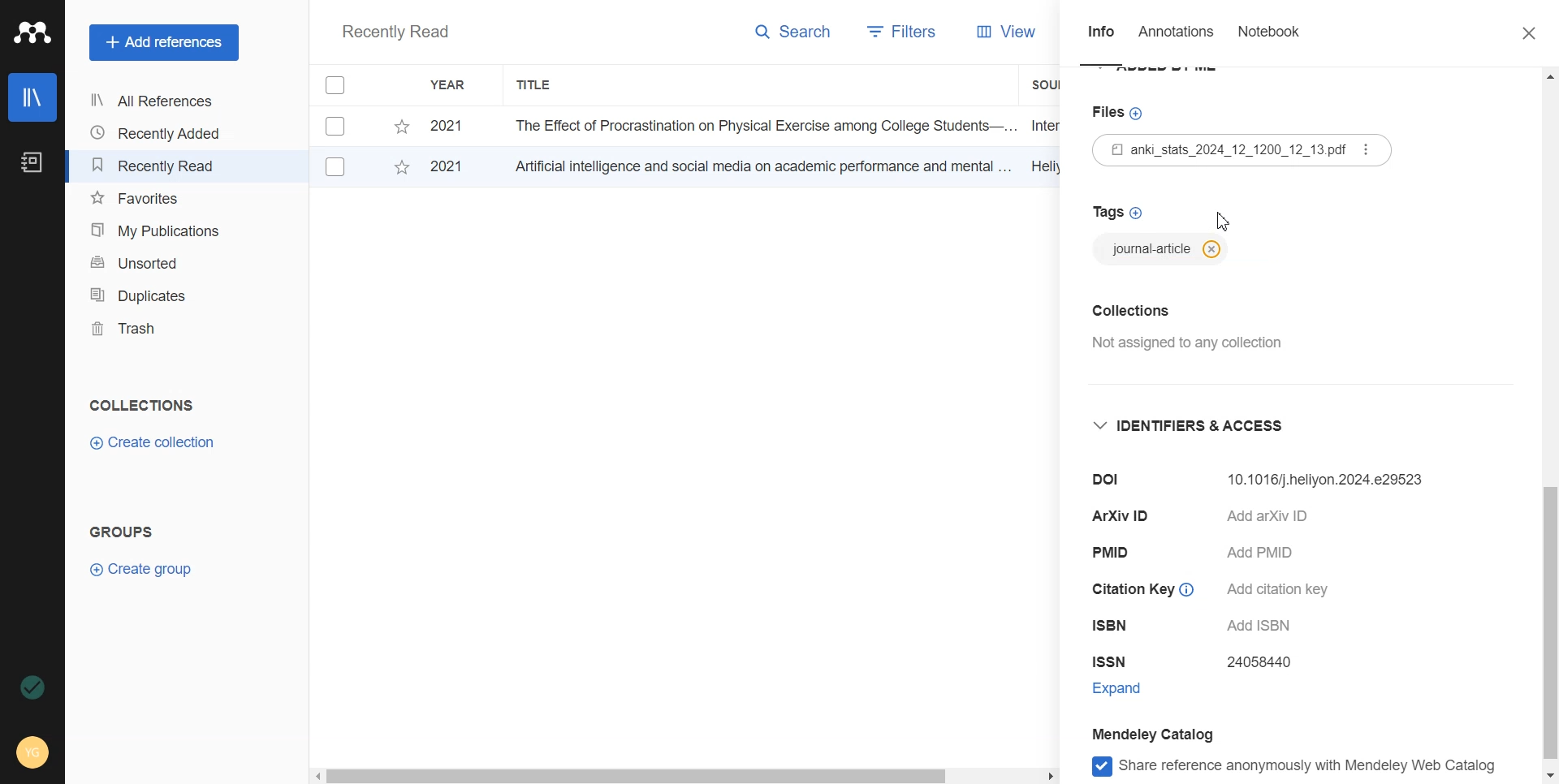 The height and width of the screenshot is (784, 1559). Describe the element at coordinates (451, 85) in the screenshot. I see `Year` at that location.